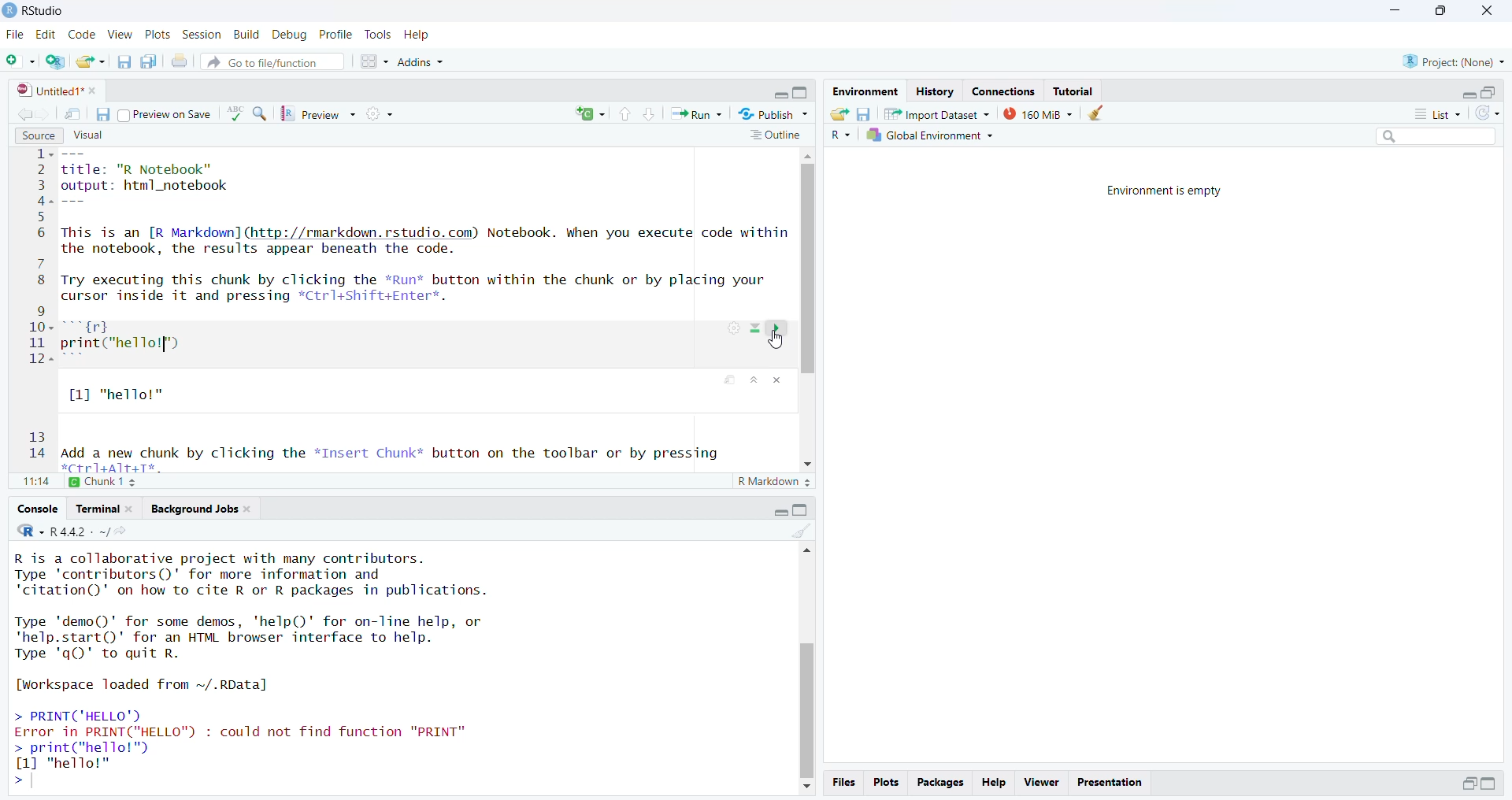  What do you see at coordinates (1492, 92) in the screenshot?
I see `collapse` at bounding box center [1492, 92].